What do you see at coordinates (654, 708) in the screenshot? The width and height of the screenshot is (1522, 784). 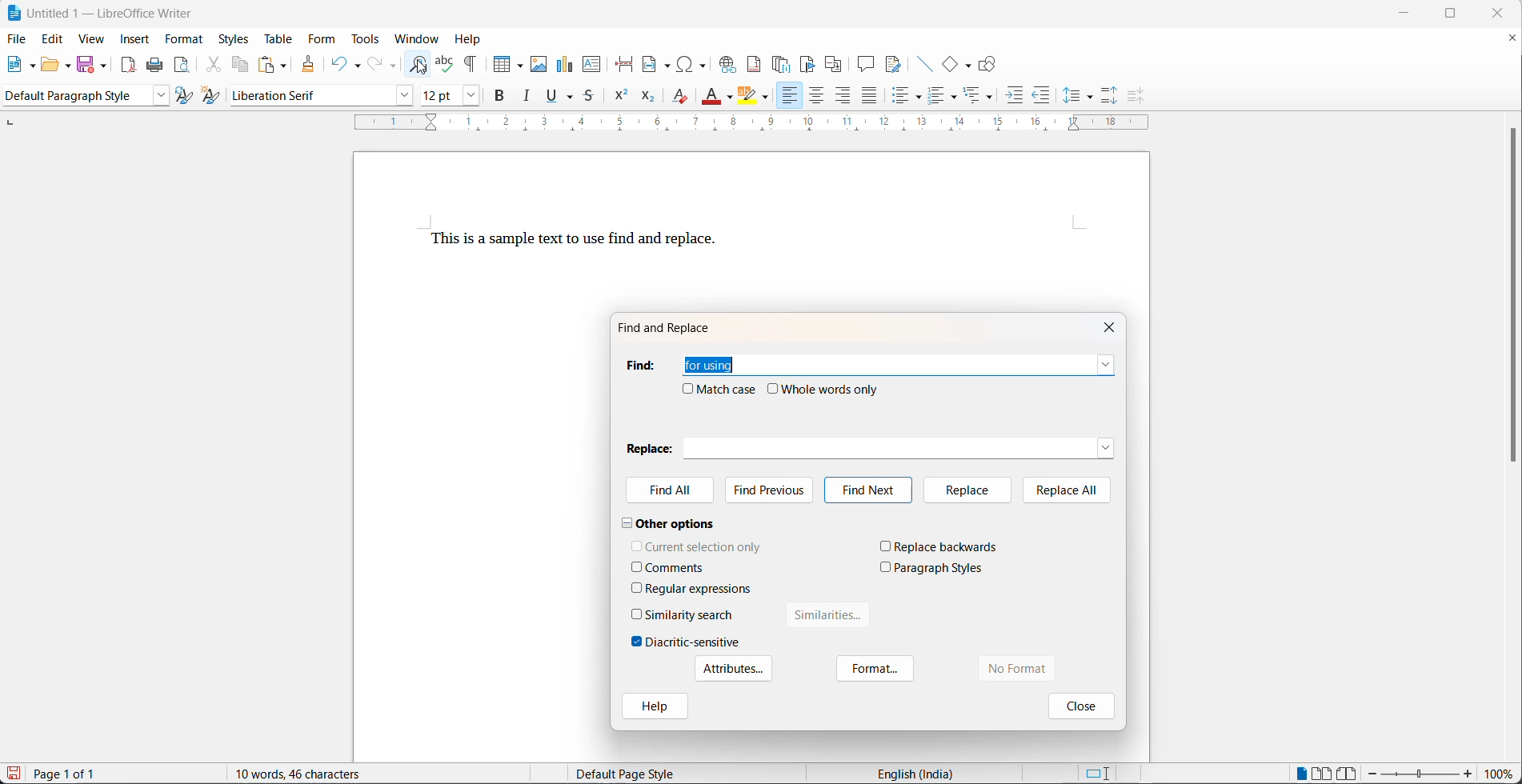 I see `help` at bounding box center [654, 708].